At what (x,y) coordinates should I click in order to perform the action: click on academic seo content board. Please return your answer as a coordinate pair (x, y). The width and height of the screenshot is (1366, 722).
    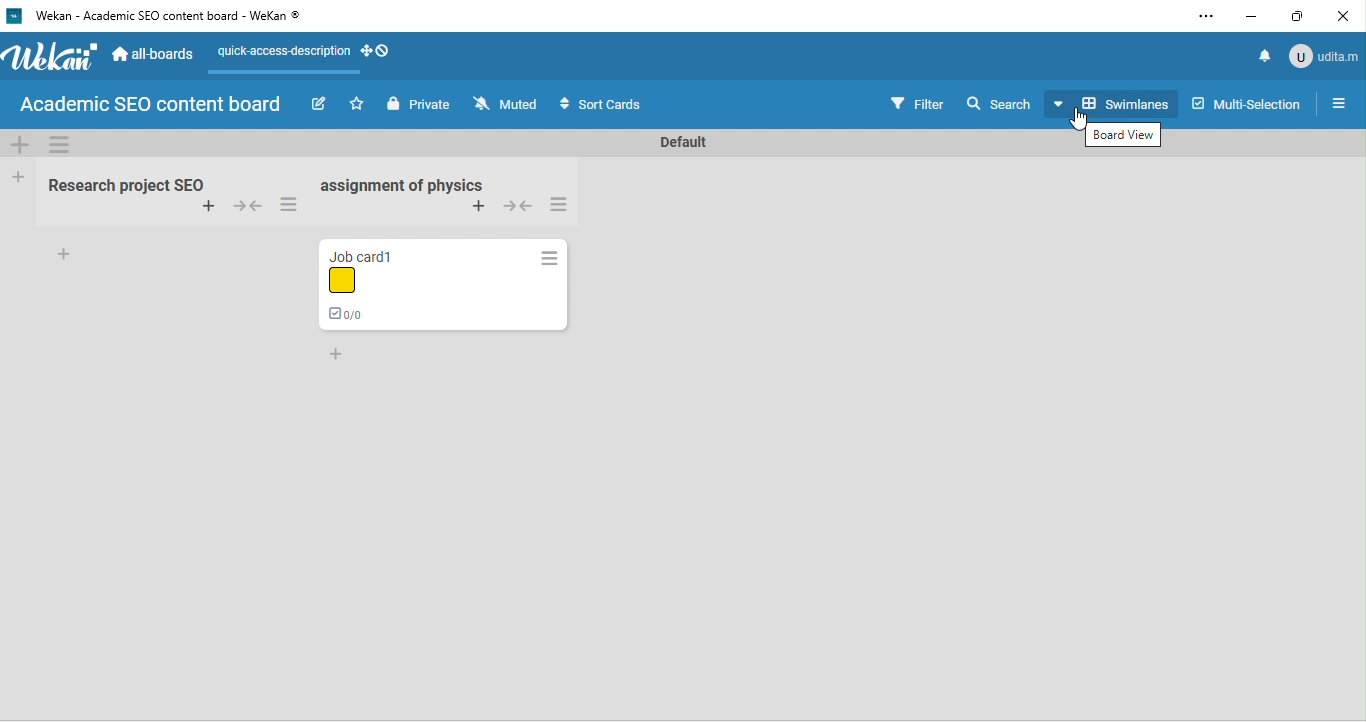
    Looking at the image, I should click on (154, 105).